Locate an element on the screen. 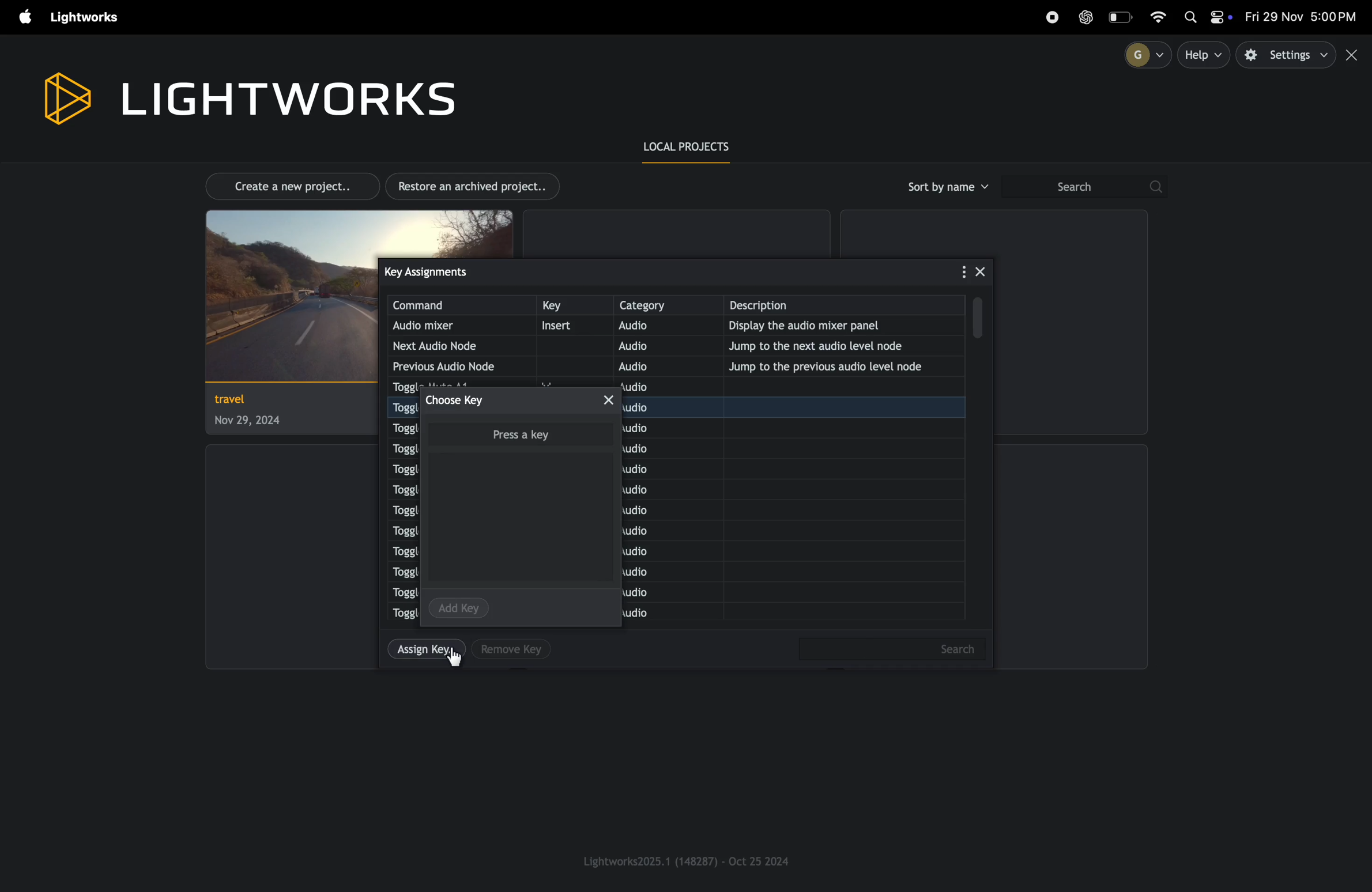  close is located at coordinates (985, 271).